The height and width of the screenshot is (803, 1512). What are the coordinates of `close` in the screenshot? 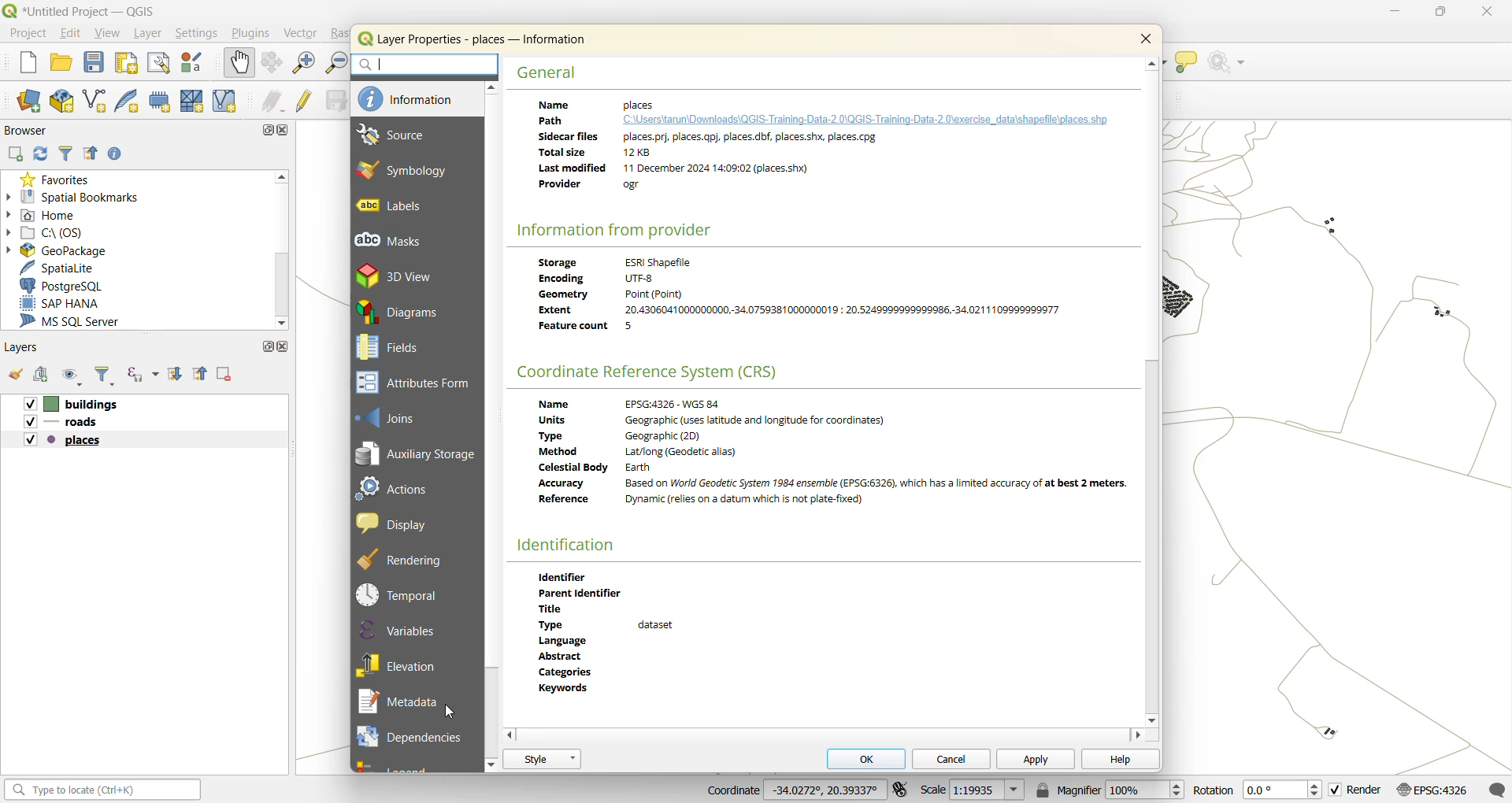 It's located at (286, 347).